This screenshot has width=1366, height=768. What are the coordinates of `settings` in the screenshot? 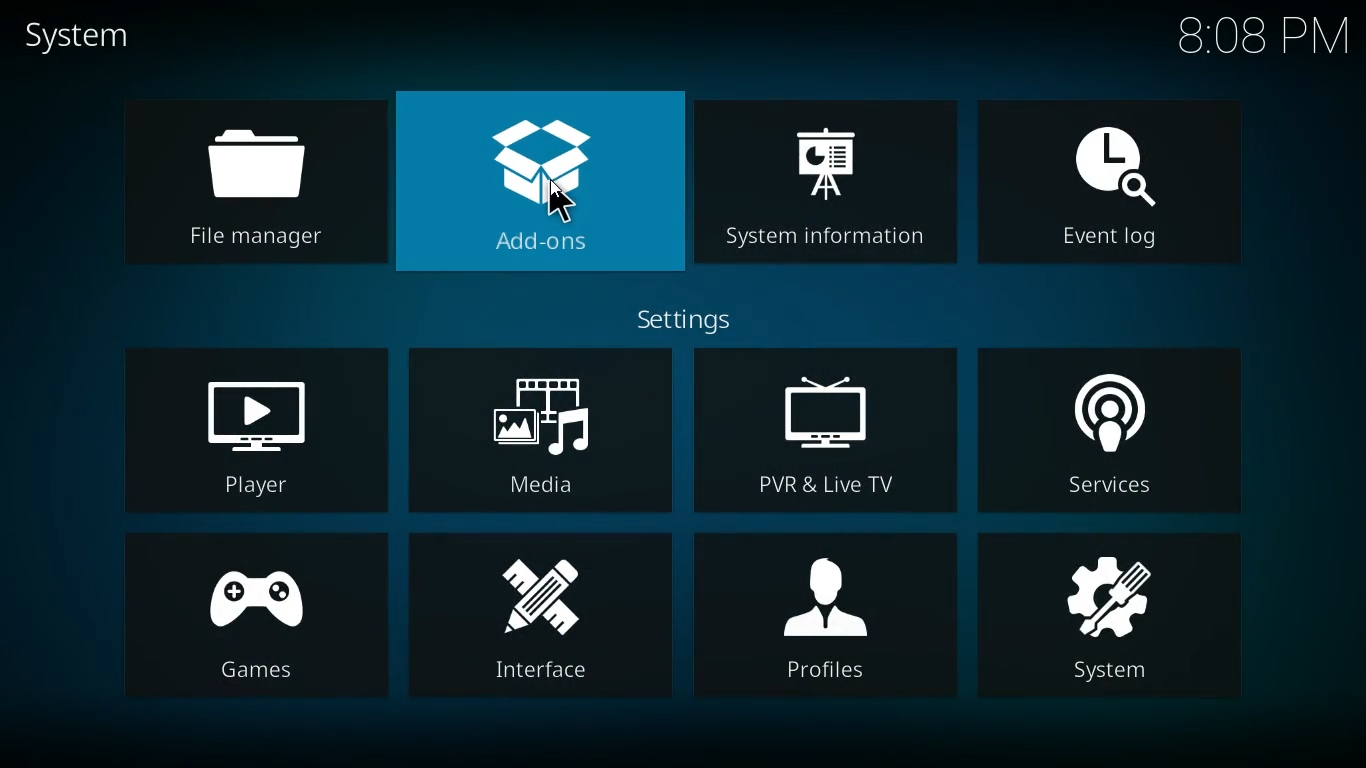 It's located at (686, 318).